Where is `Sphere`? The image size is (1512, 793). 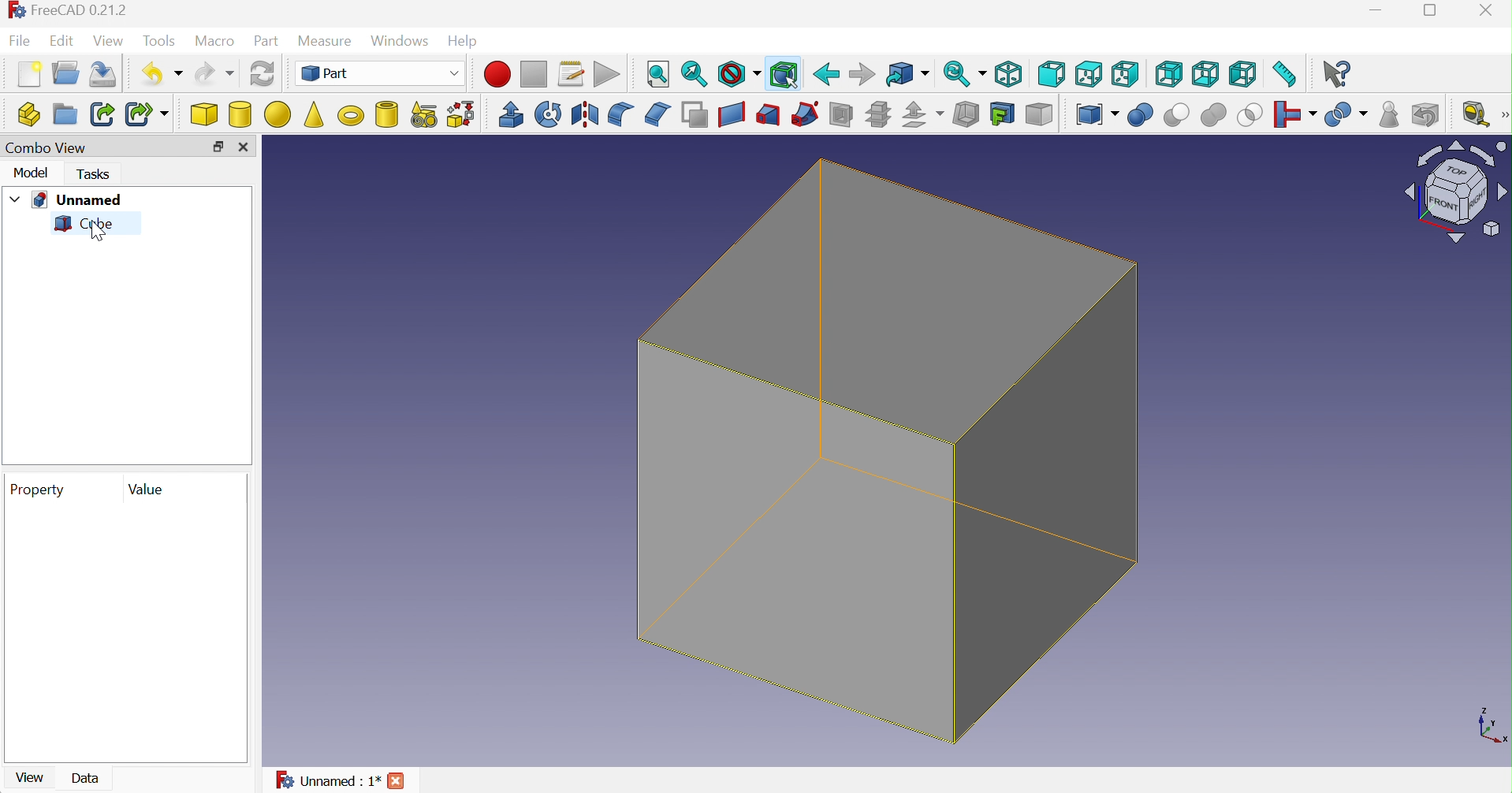
Sphere is located at coordinates (277, 116).